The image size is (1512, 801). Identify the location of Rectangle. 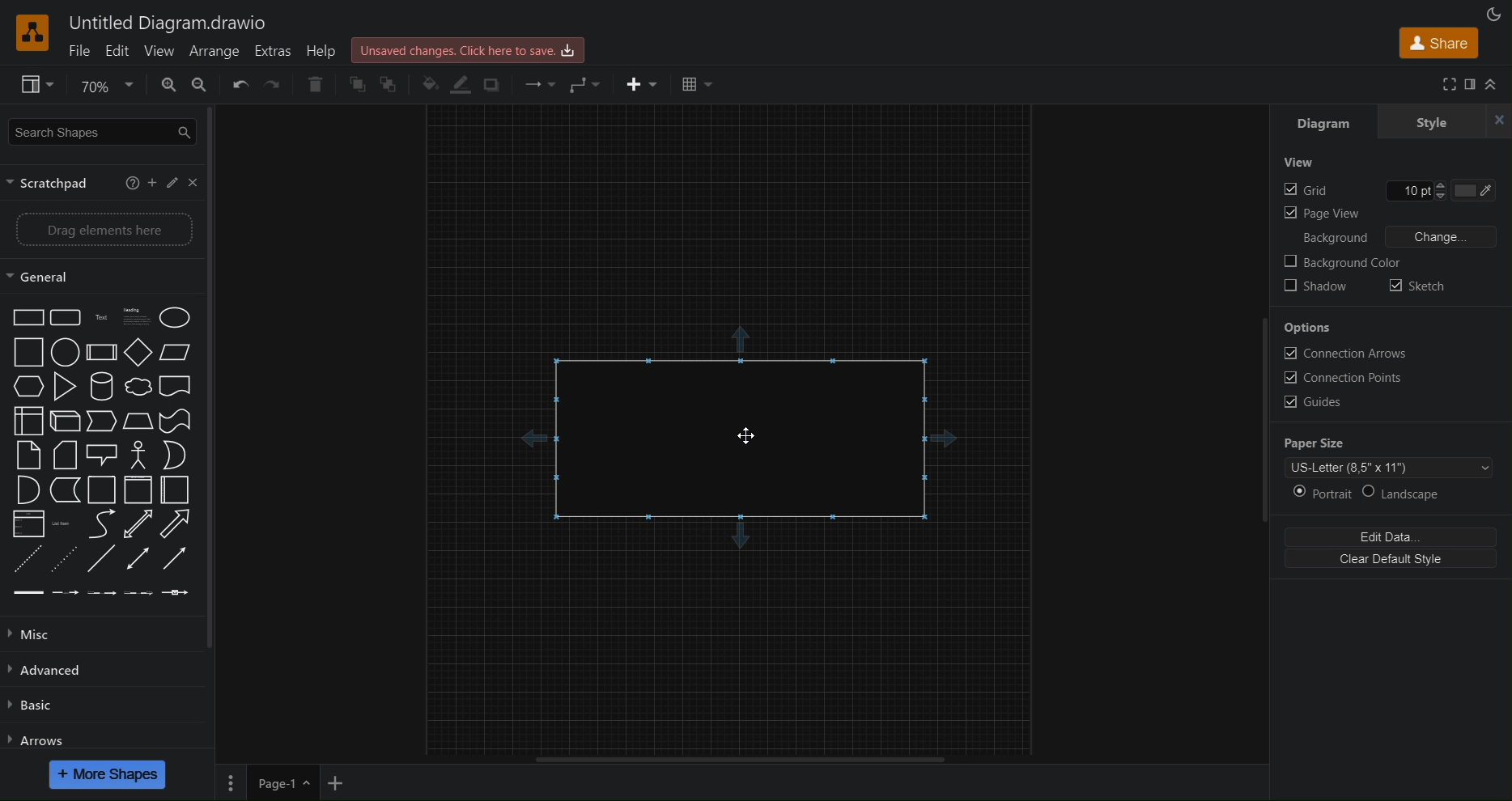
(736, 439).